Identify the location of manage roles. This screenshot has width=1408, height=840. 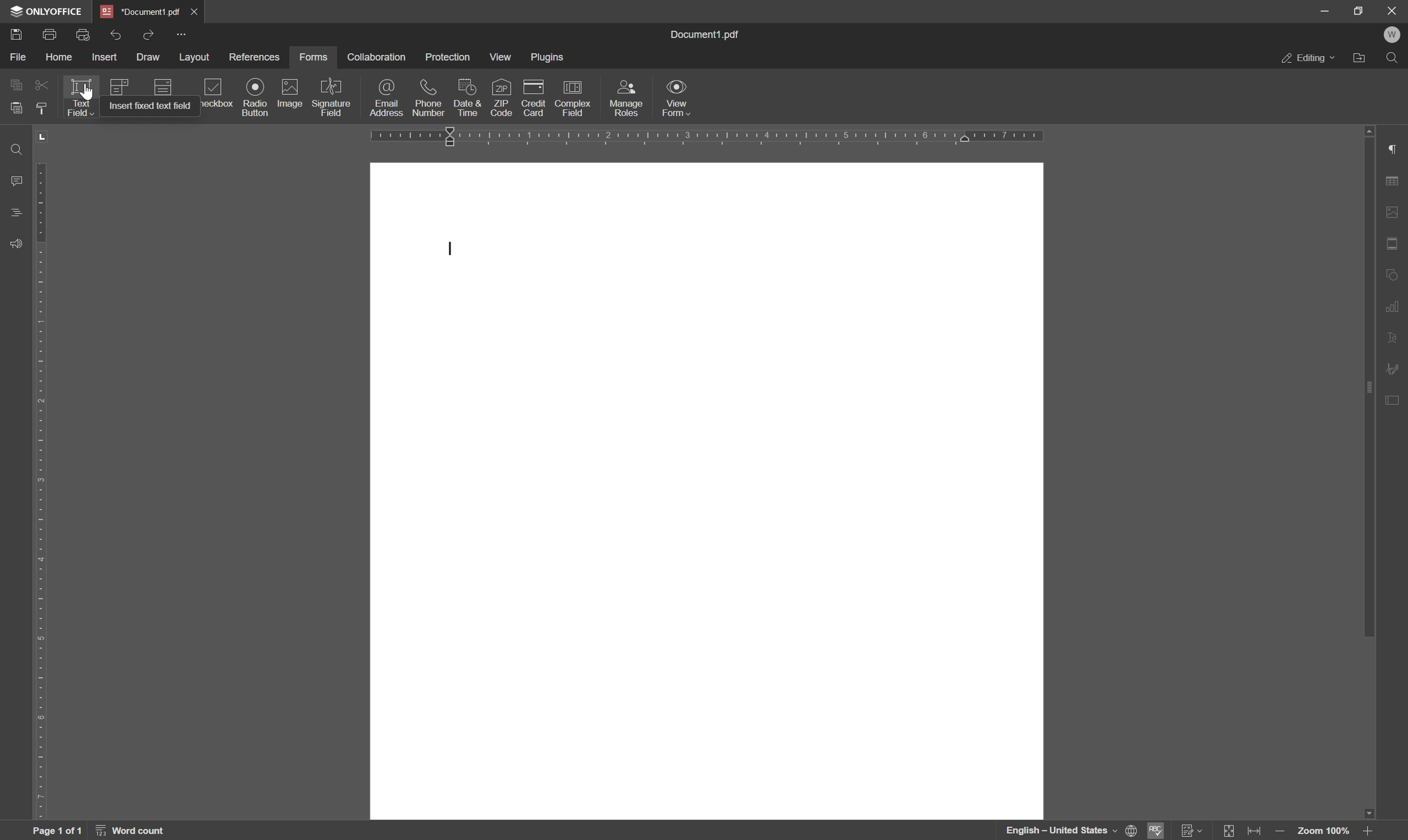
(628, 97).